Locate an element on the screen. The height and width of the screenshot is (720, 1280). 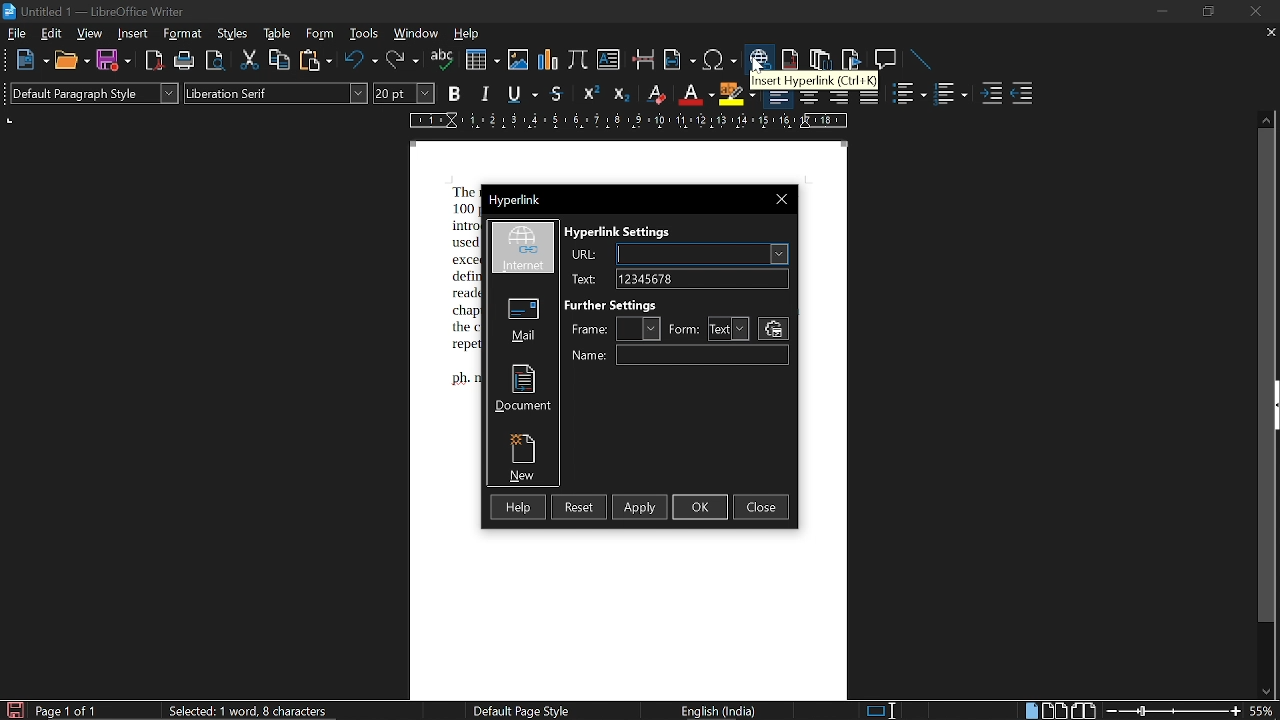
fame is located at coordinates (592, 329).